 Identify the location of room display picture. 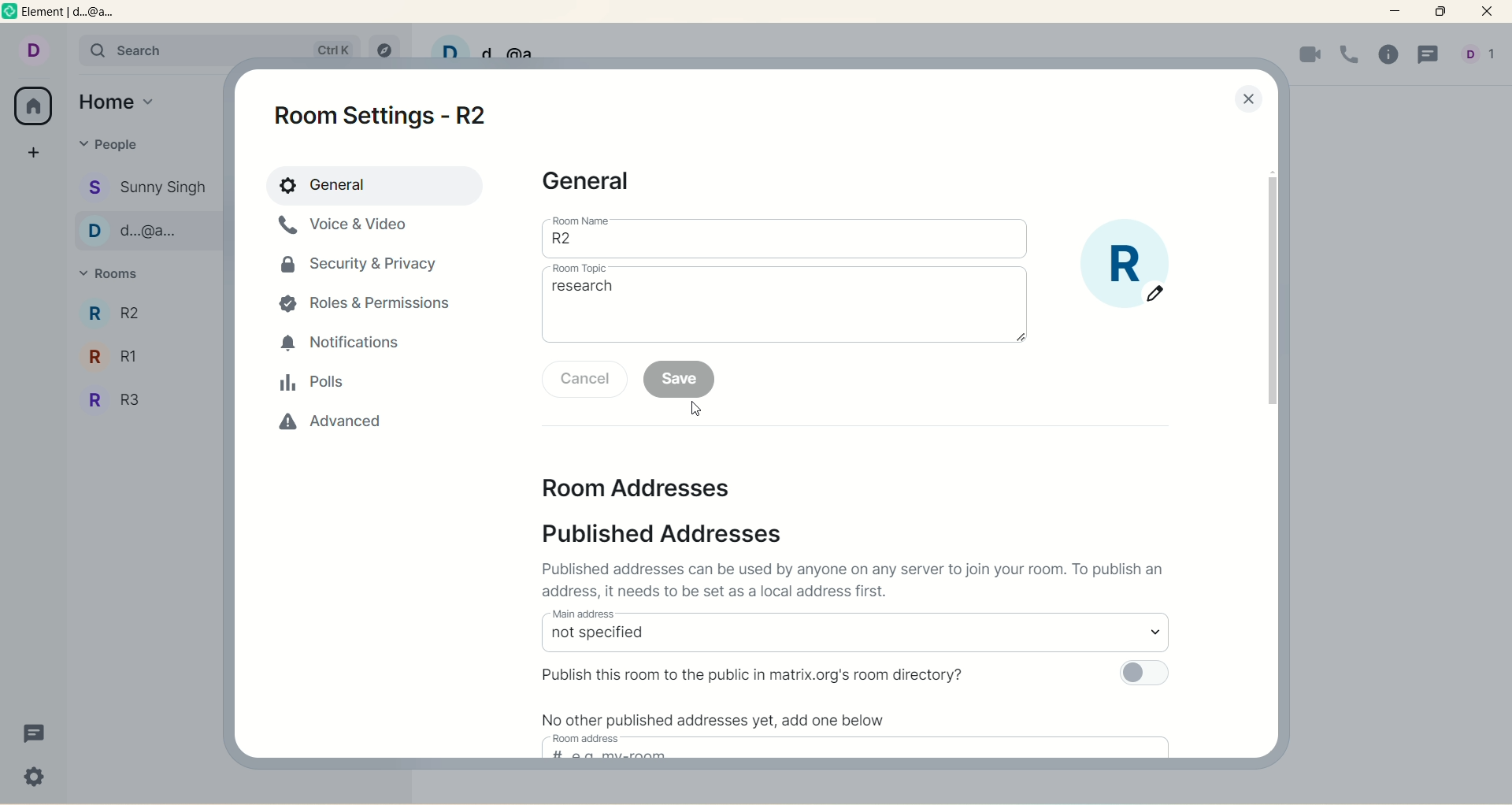
(1127, 265).